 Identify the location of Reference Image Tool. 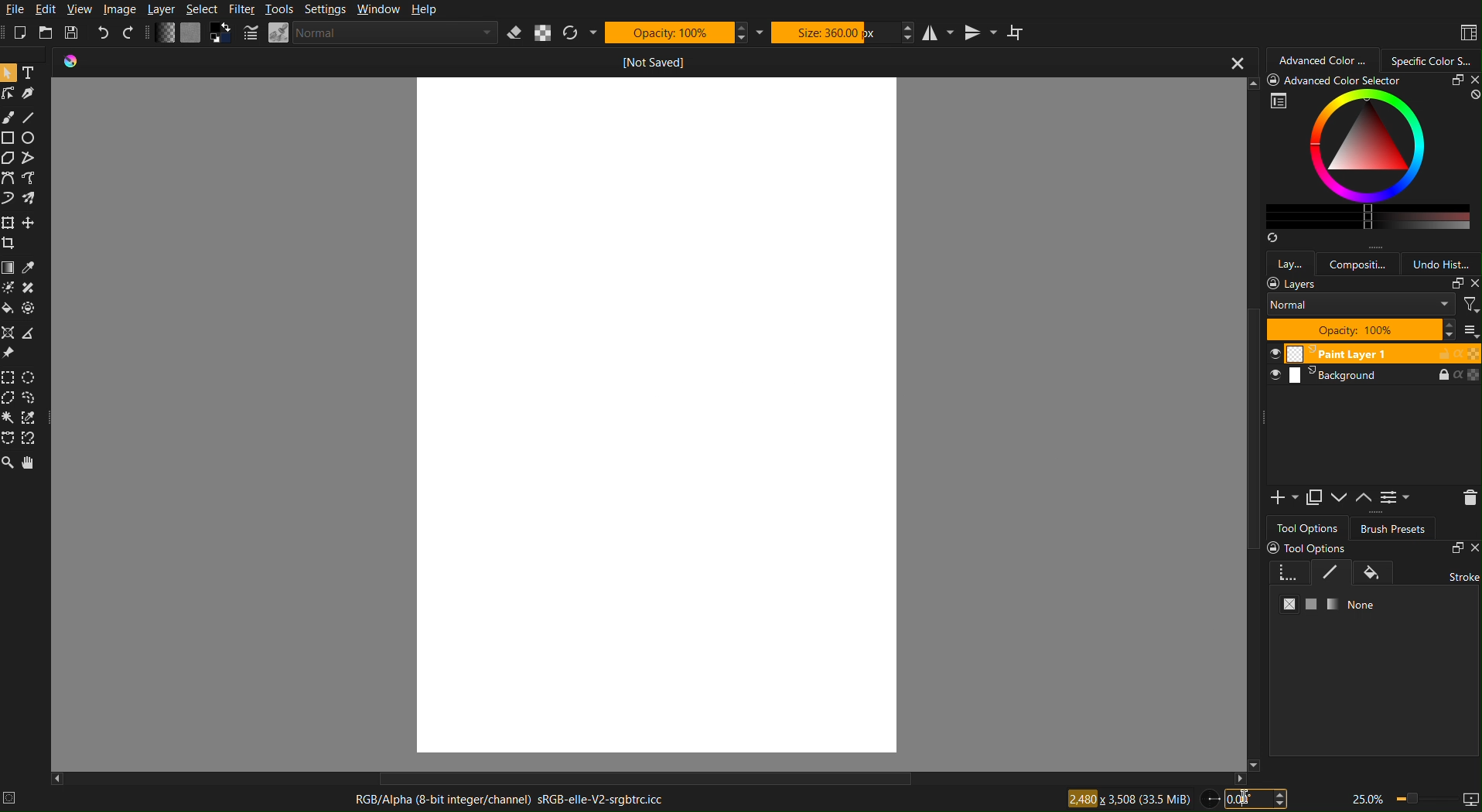
(8, 353).